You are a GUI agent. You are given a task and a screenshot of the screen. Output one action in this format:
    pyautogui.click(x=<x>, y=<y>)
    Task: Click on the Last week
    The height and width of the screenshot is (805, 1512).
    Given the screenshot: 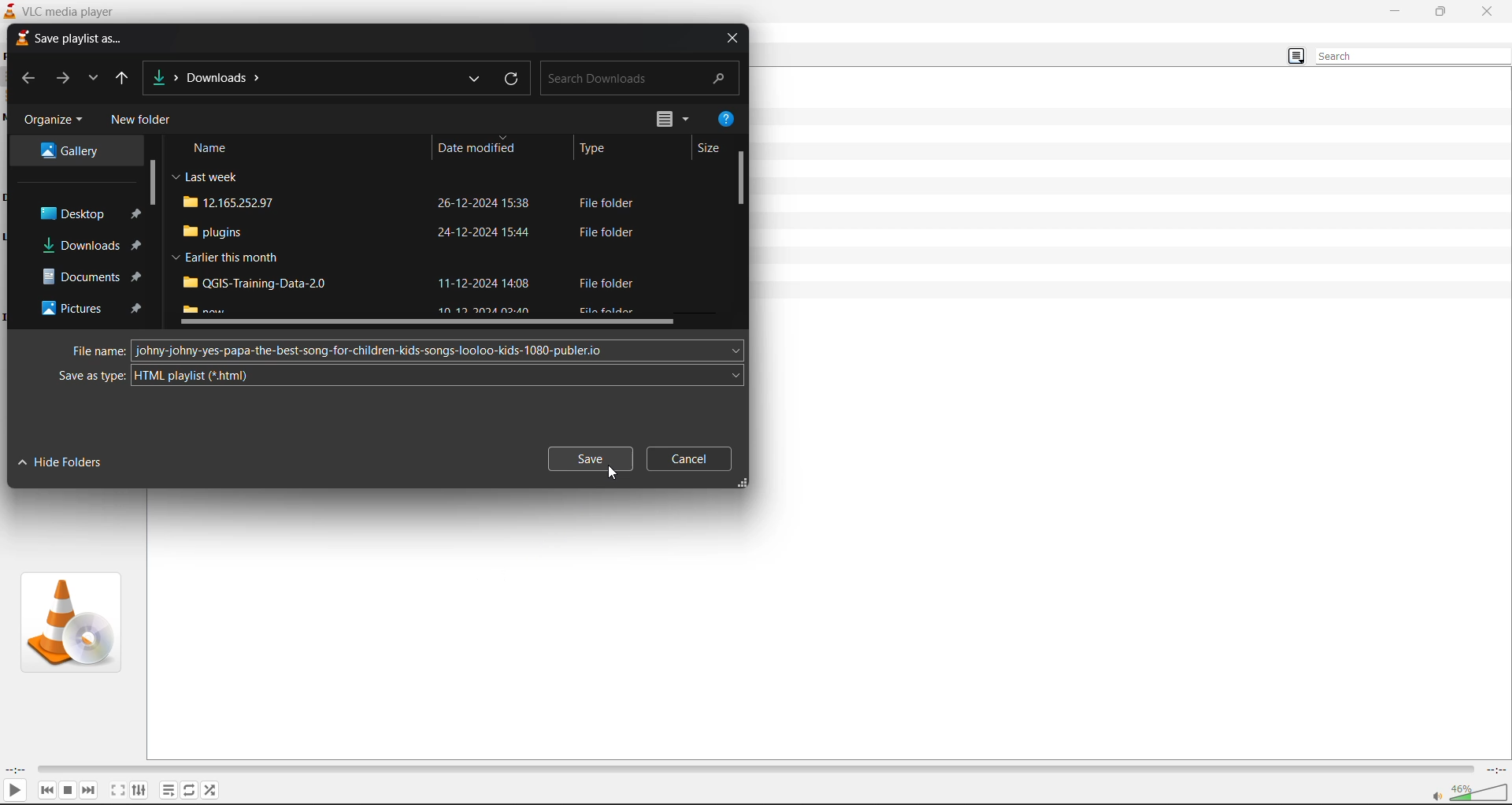 What is the action you would take?
    pyautogui.click(x=204, y=178)
    